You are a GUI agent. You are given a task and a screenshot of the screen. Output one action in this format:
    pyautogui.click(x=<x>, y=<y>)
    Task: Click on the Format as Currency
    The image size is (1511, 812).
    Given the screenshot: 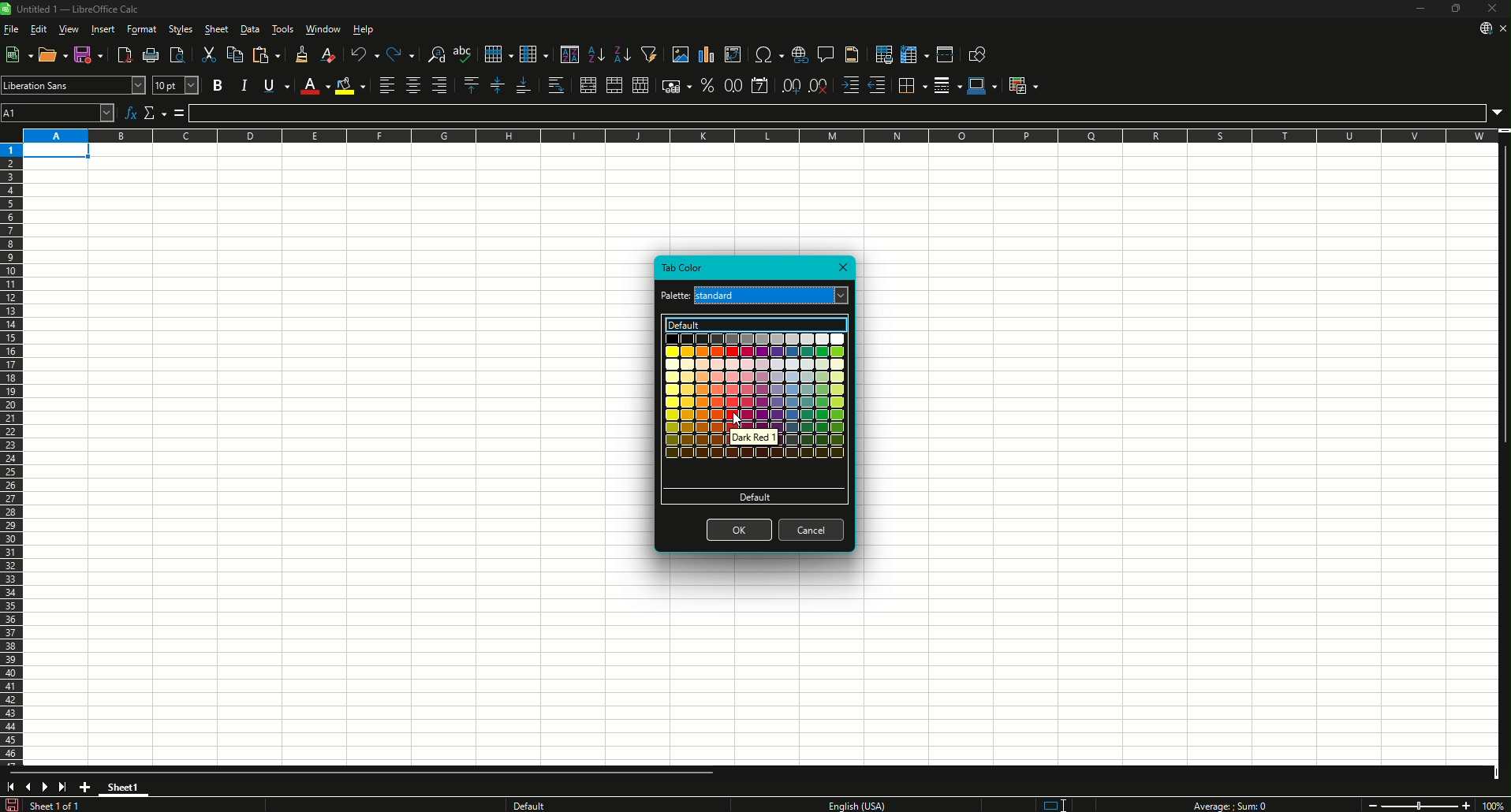 What is the action you would take?
    pyautogui.click(x=677, y=85)
    